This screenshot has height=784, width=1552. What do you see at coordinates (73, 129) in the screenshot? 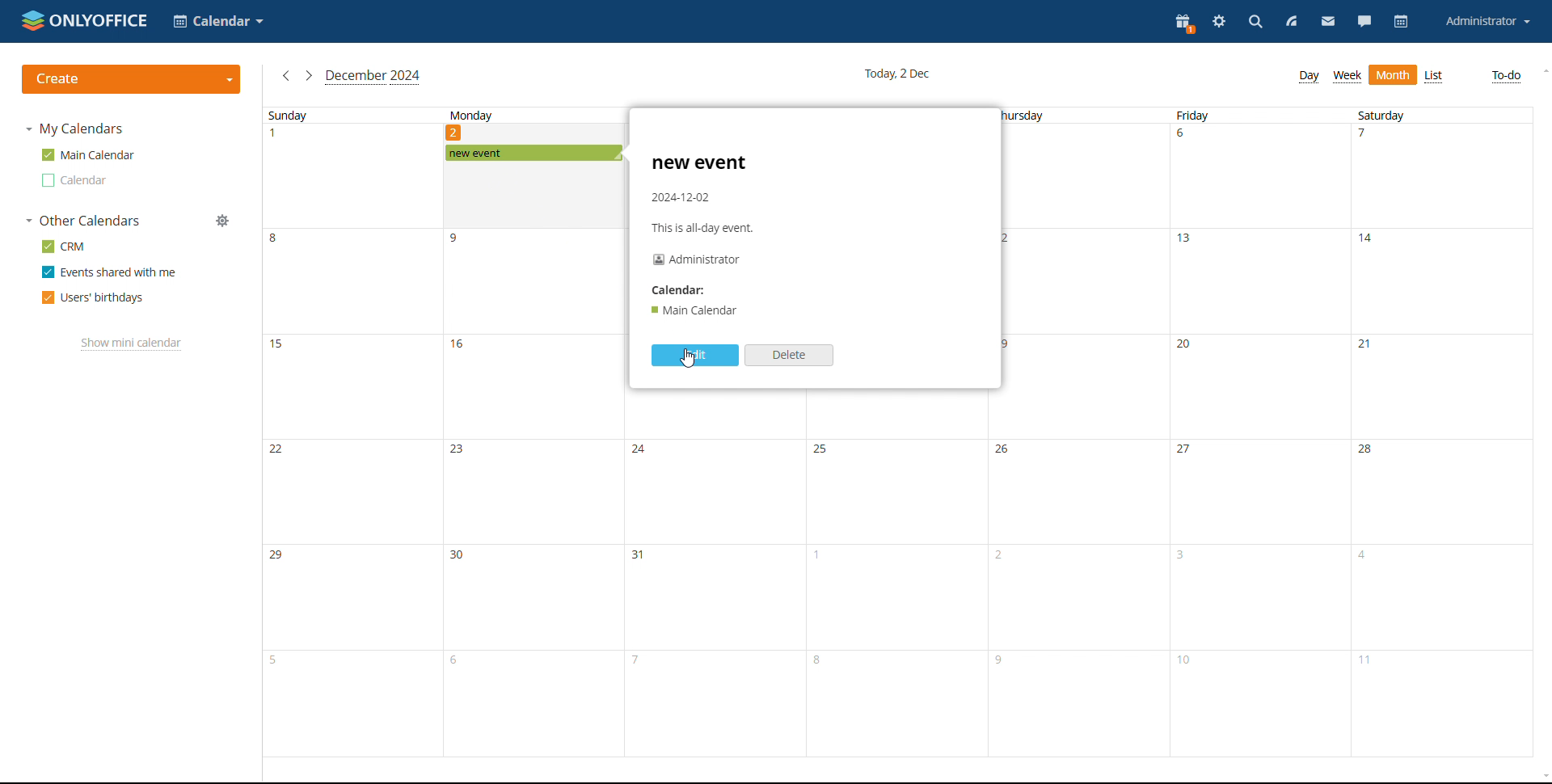
I see `my calendars` at bounding box center [73, 129].